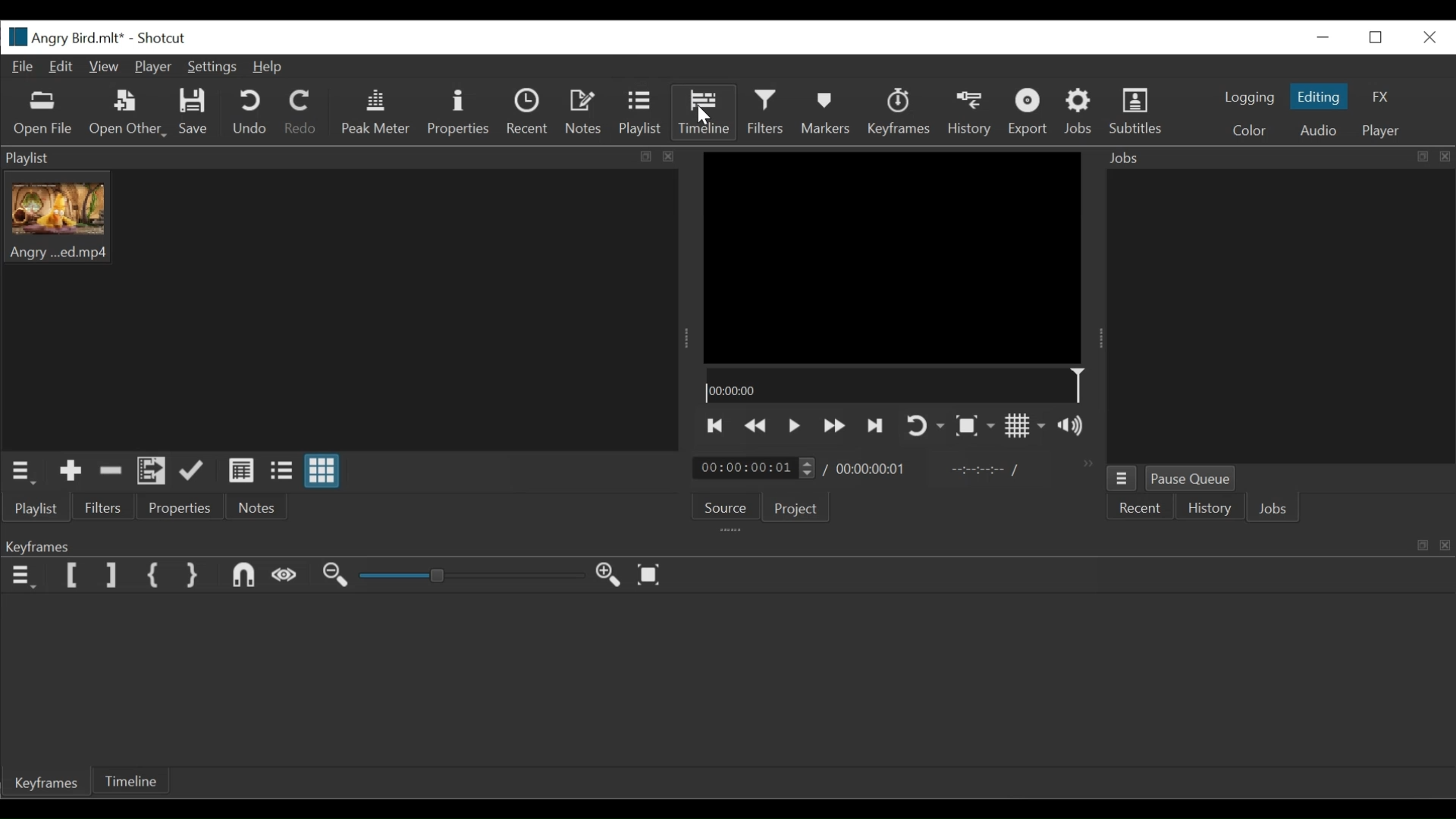  Describe the element at coordinates (240, 471) in the screenshot. I see `View as details` at that location.